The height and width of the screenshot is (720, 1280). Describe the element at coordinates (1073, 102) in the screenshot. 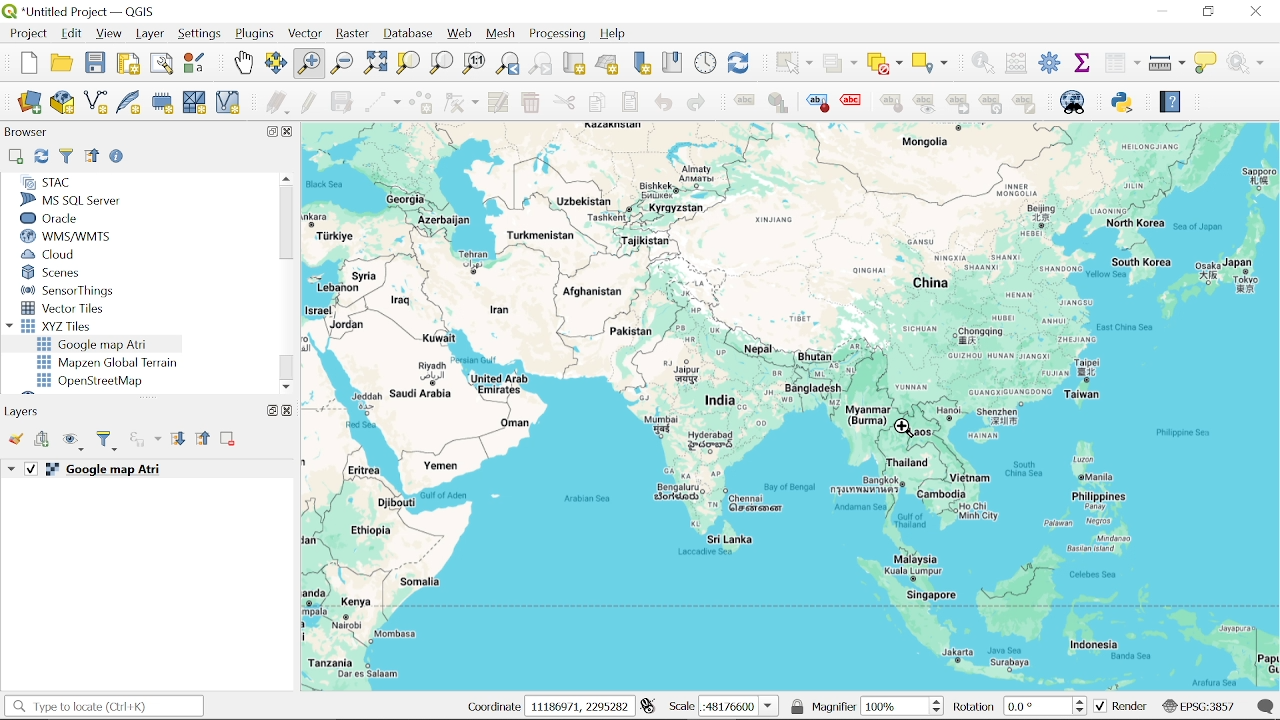

I see `Meta search` at that location.